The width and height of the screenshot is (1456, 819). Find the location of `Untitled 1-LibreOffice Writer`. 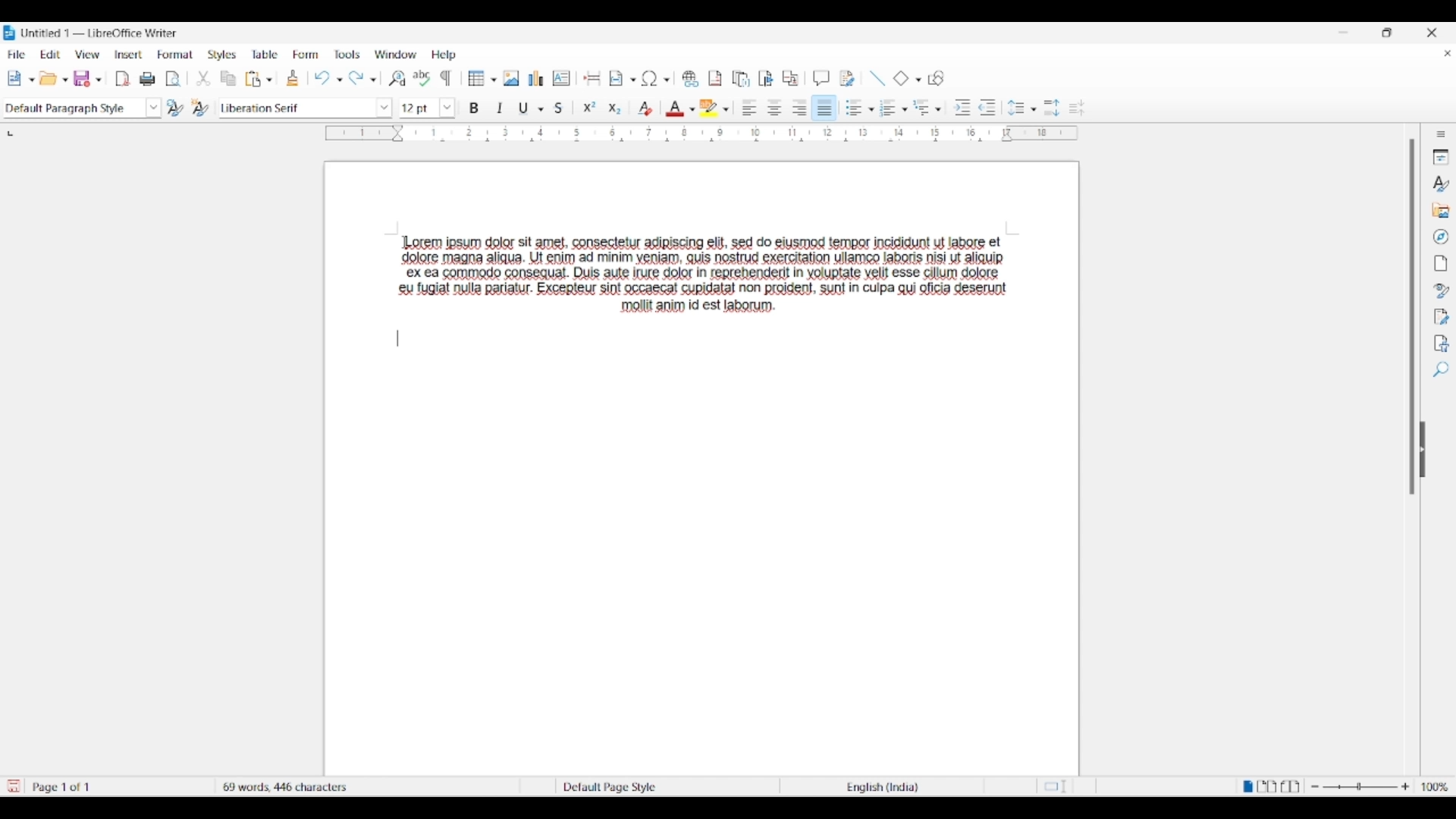

Untitled 1-LibreOffice Writer is located at coordinates (102, 33).